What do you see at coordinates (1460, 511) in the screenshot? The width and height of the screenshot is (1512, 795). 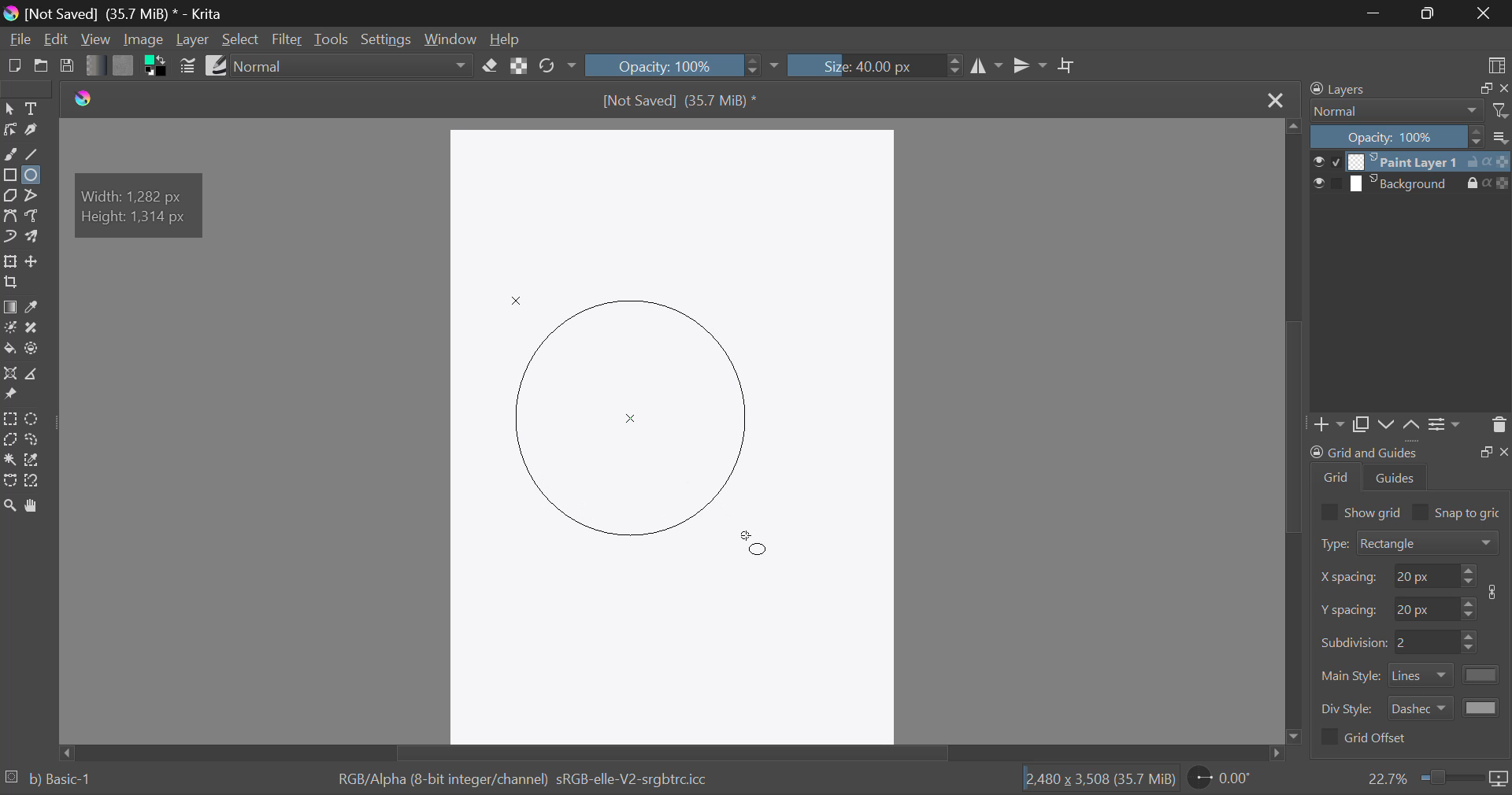 I see `Snap to grid` at bounding box center [1460, 511].